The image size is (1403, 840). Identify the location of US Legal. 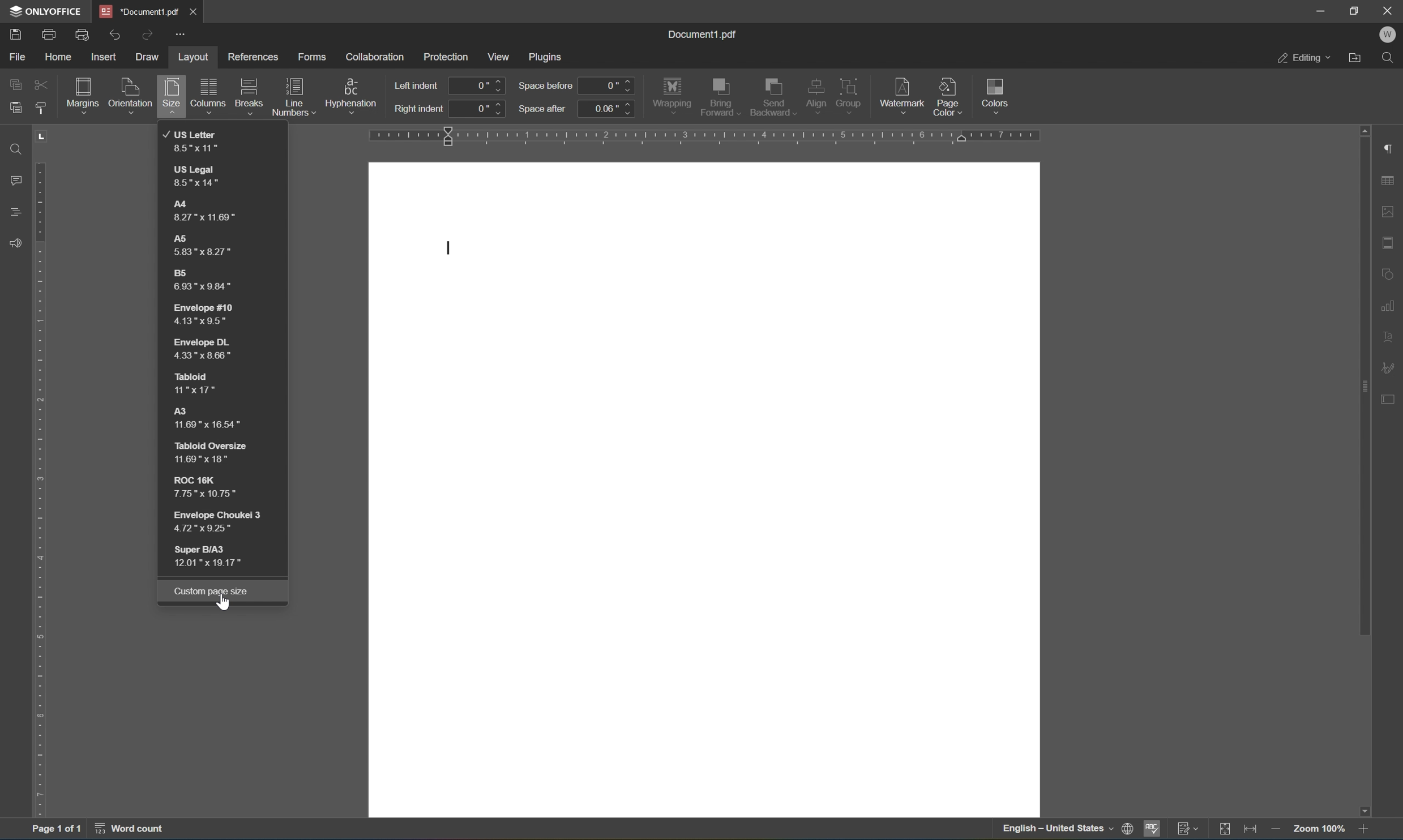
(197, 177).